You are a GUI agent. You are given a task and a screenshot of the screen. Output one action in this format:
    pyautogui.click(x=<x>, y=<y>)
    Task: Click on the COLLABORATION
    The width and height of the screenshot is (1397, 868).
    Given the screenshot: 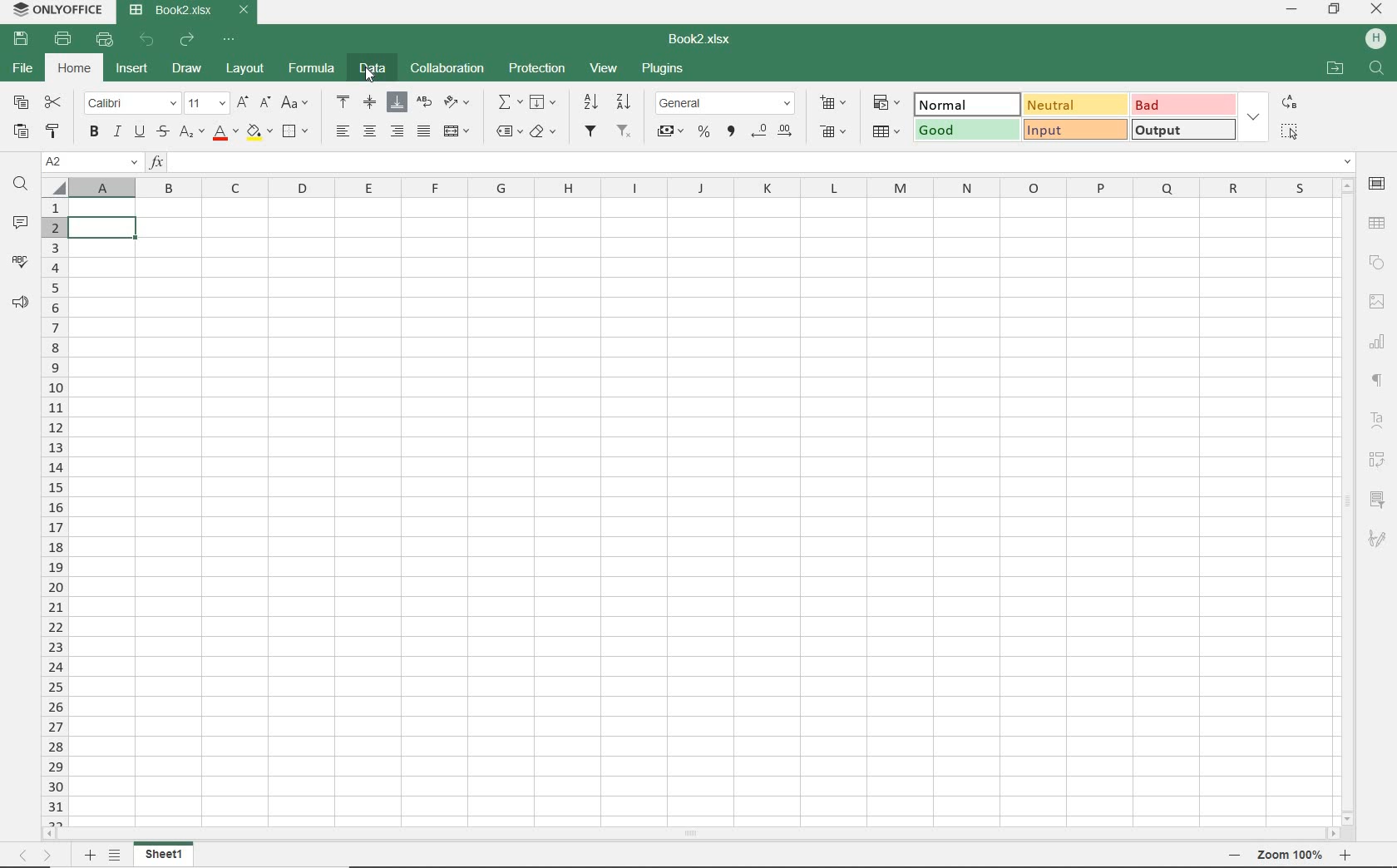 What is the action you would take?
    pyautogui.click(x=446, y=69)
    